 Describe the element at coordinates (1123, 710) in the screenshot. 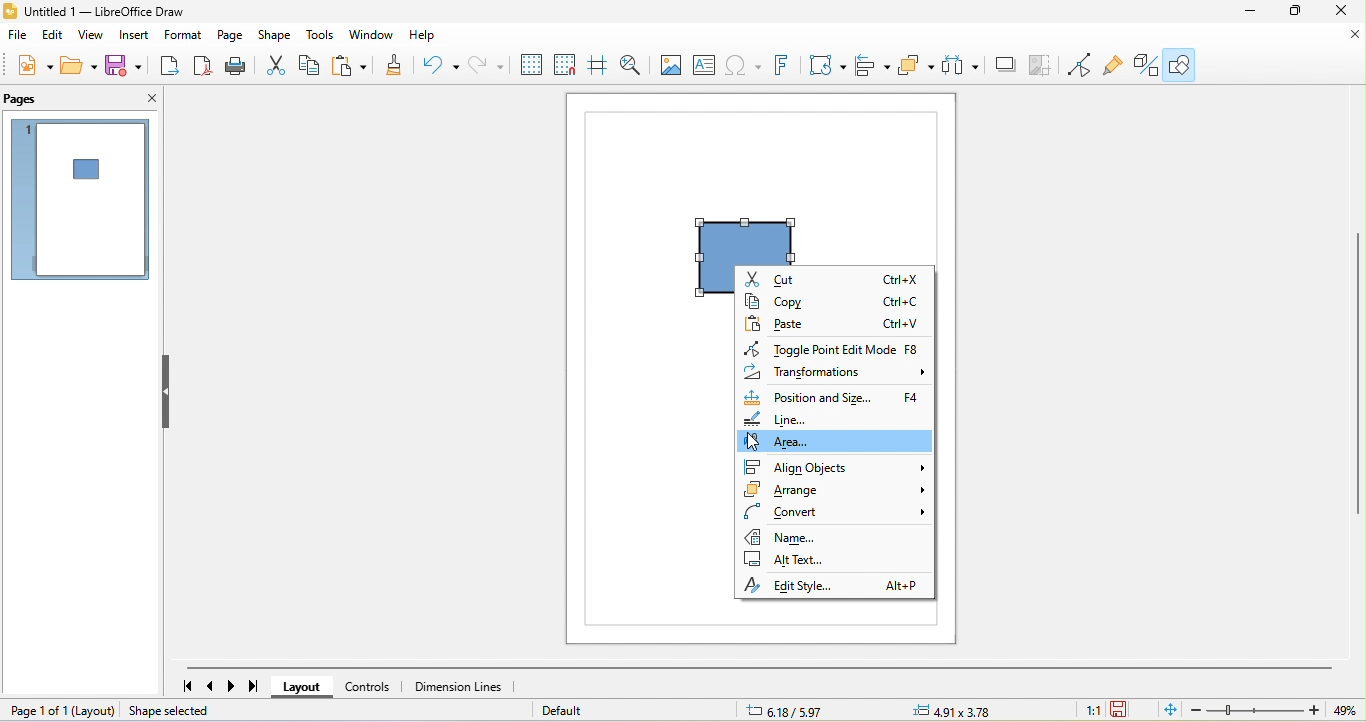

I see `the document has been modified click to save the document` at that location.